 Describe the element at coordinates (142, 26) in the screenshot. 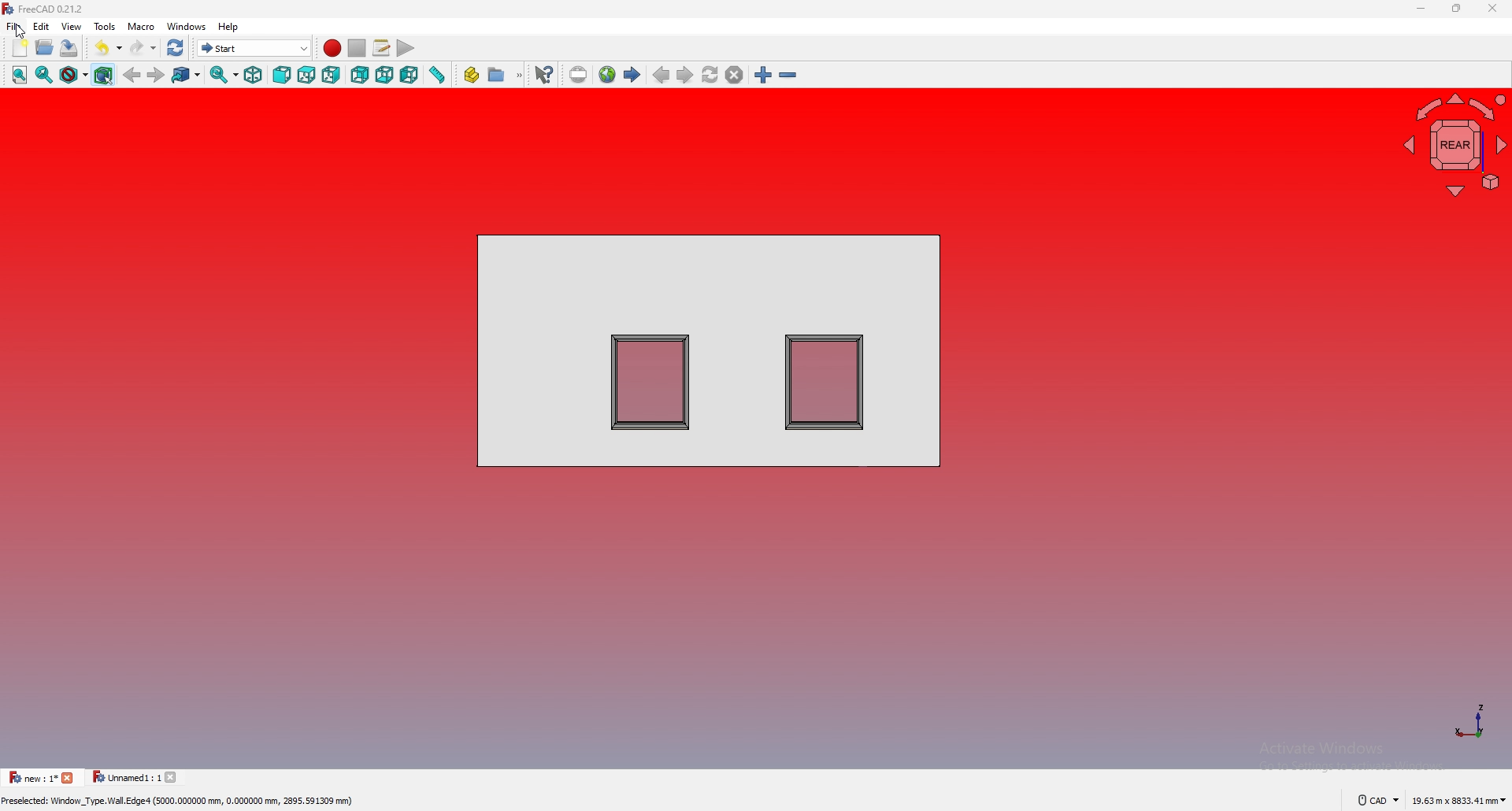

I see `macro` at that location.